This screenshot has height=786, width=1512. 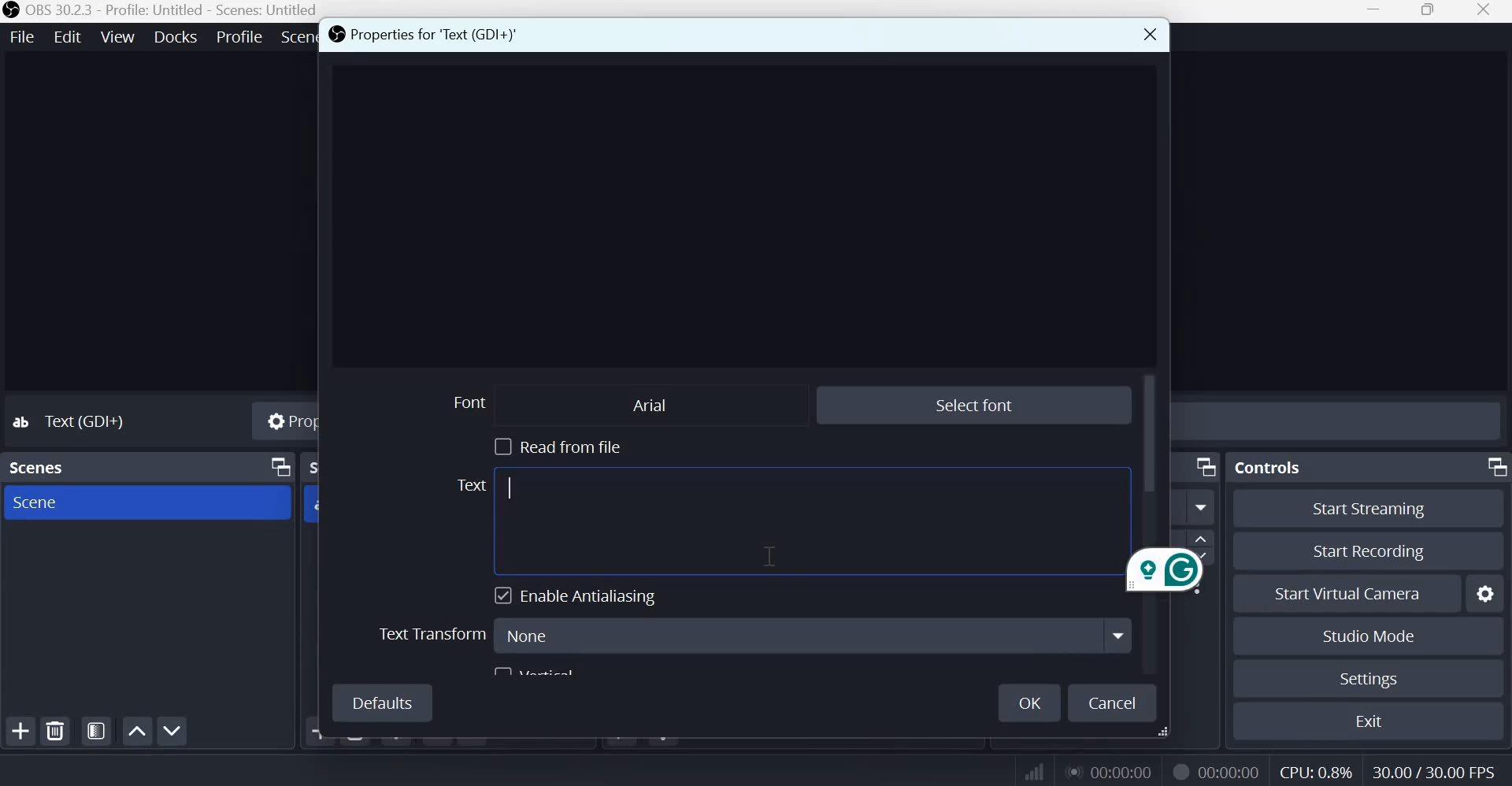 I want to click on Settings, so click(x=1370, y=679).